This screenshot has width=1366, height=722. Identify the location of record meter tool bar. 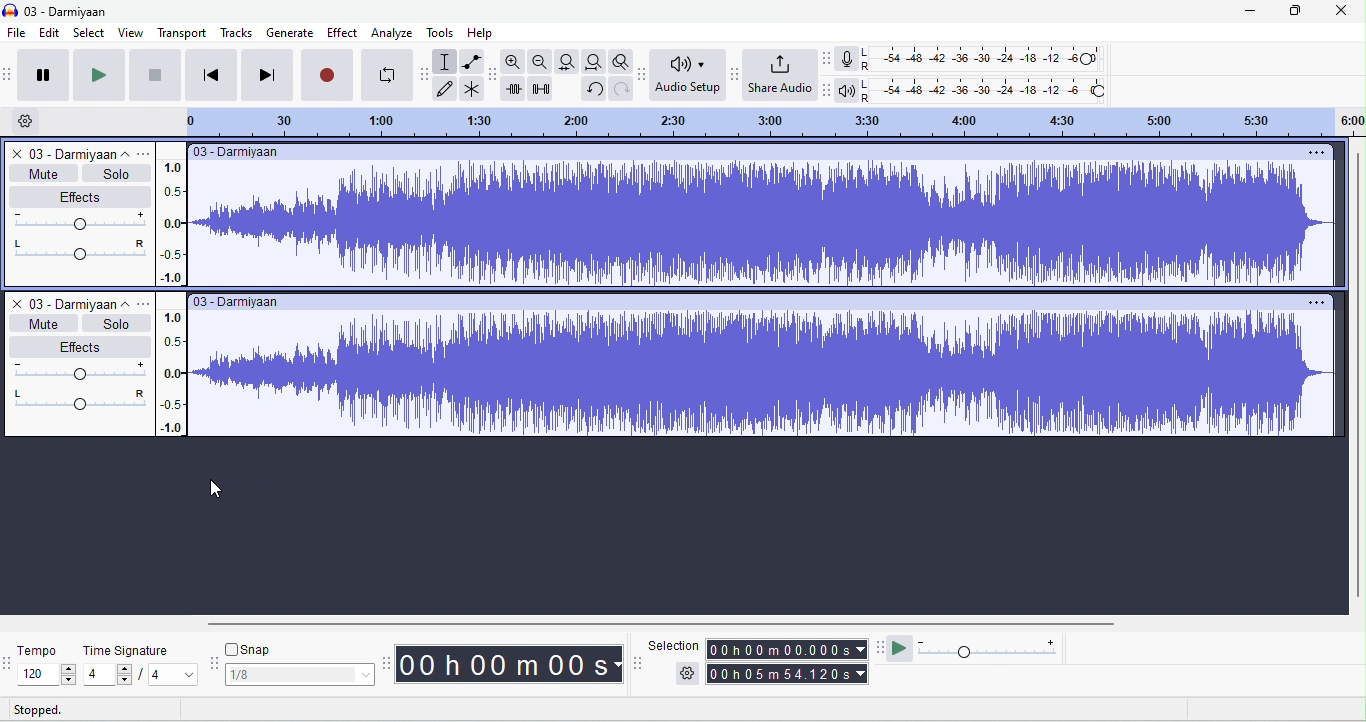
(828, 58).